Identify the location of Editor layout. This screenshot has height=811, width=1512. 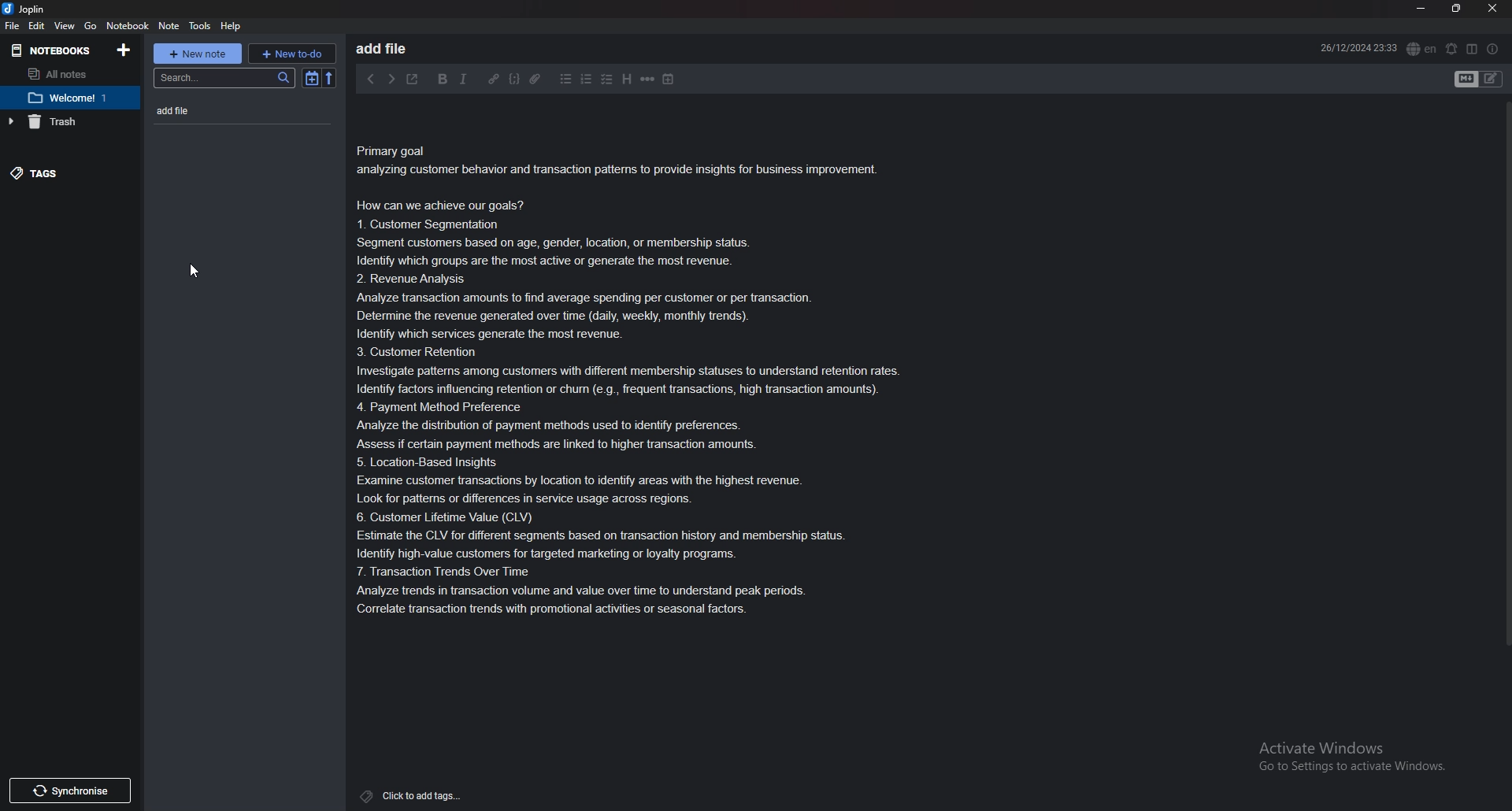
(1479, 79).